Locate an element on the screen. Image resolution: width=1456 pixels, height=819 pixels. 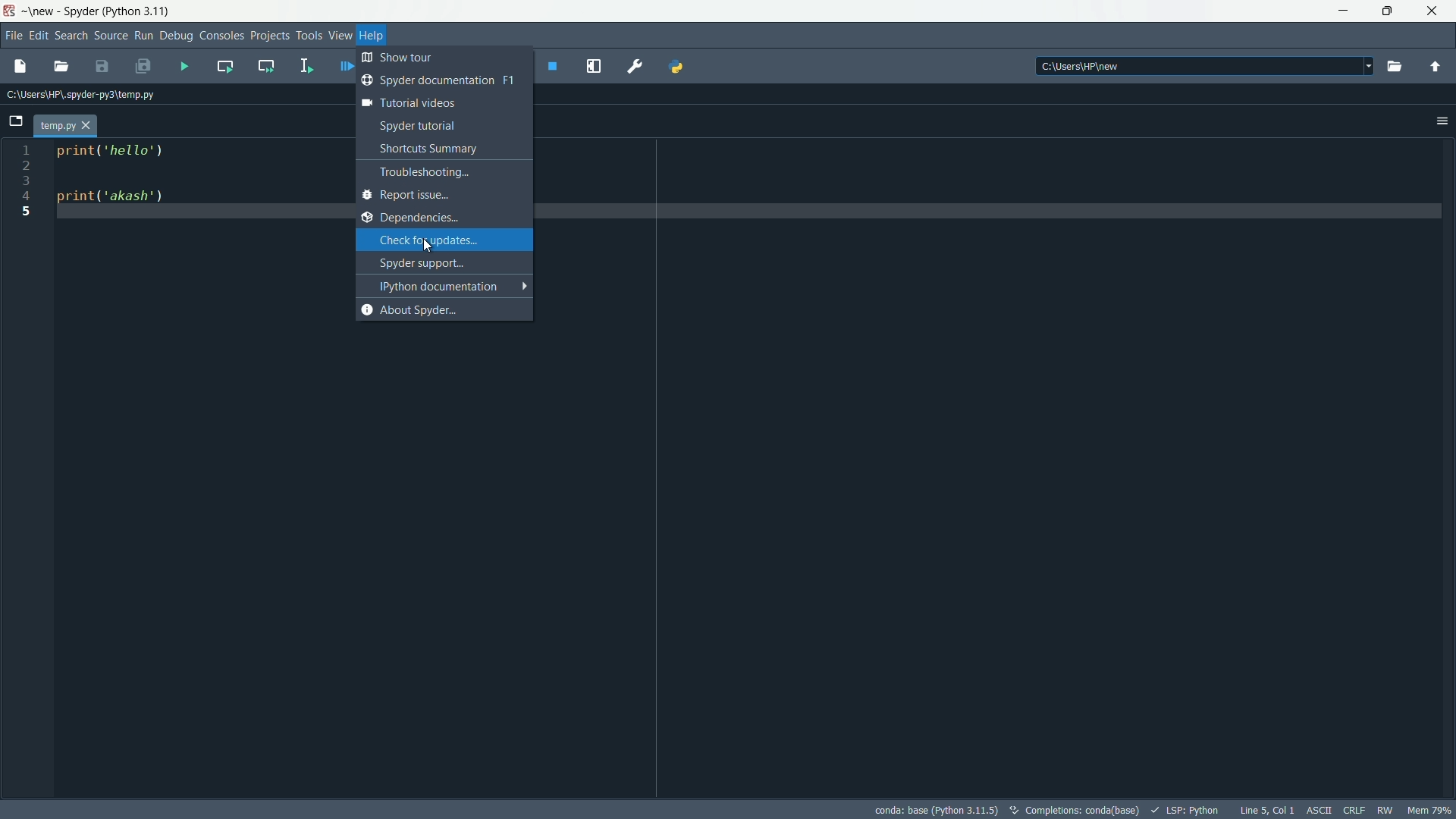
change to parent directory is located at coordinates (1436, 64).